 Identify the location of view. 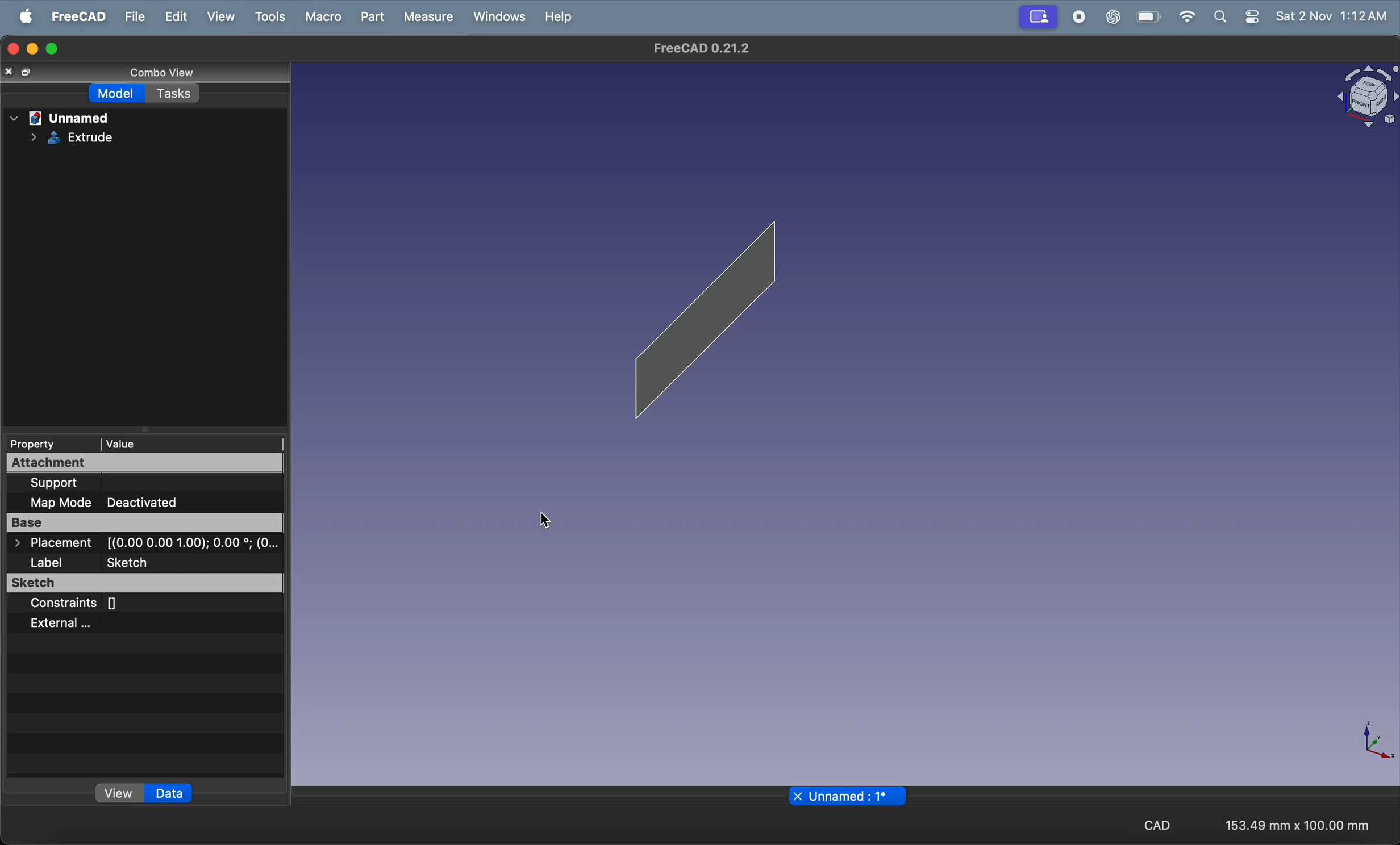
(114, 792).